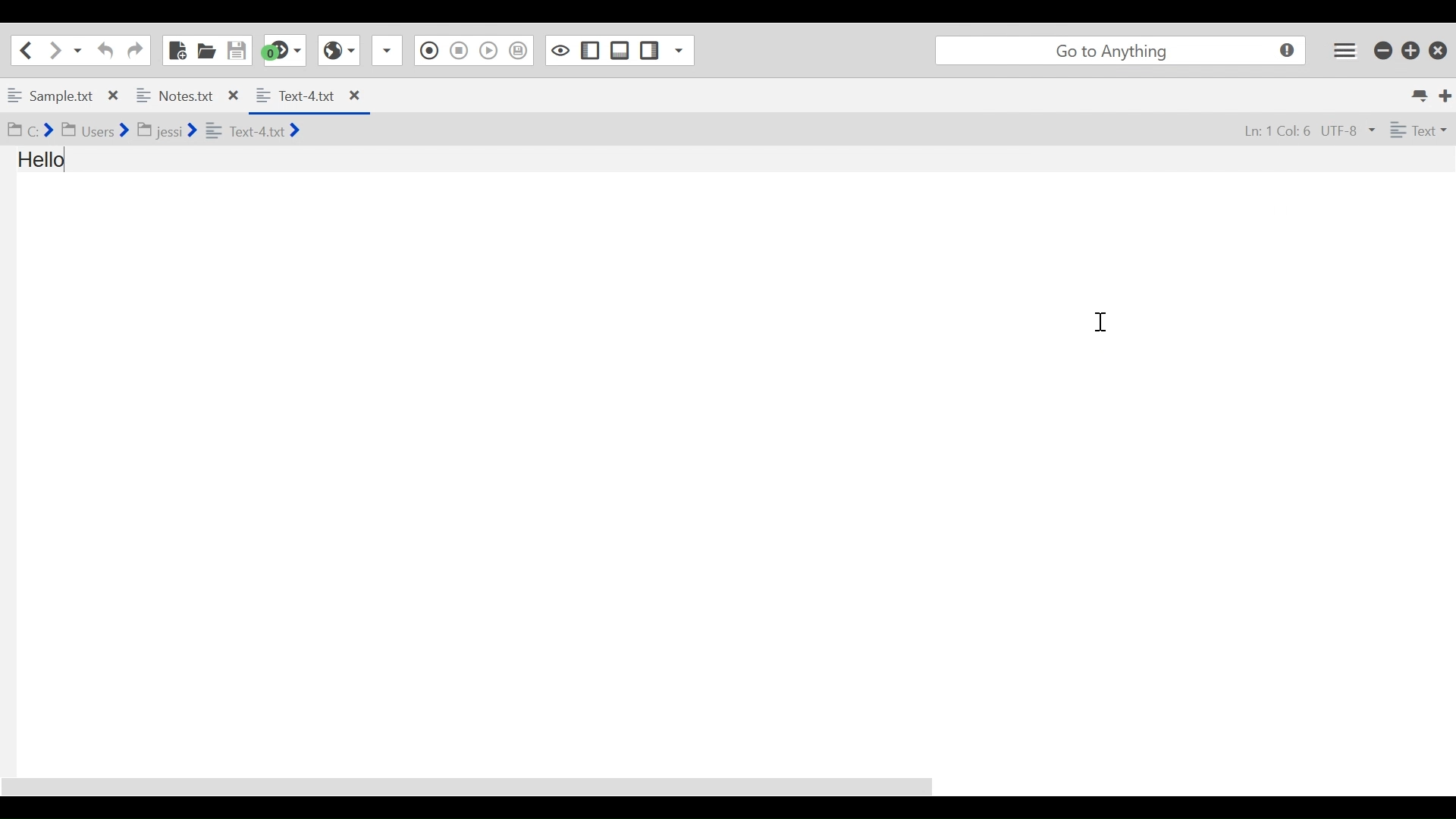  What do you see at coordinates (206, 50) in the screenshot?
I see `Open File` at bounding box center [206, 50].